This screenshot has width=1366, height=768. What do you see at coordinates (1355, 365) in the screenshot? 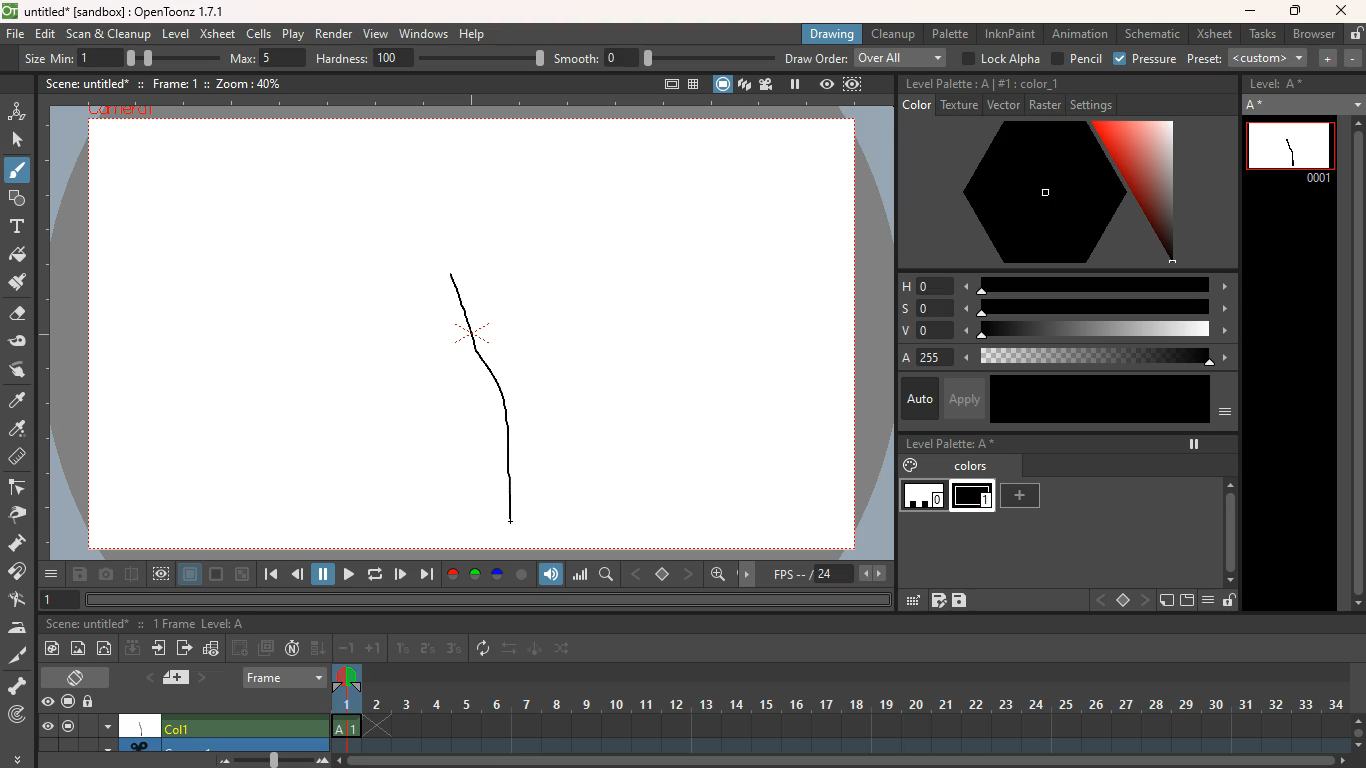
I see `scroll bar` at bounding box center [1355, 365].